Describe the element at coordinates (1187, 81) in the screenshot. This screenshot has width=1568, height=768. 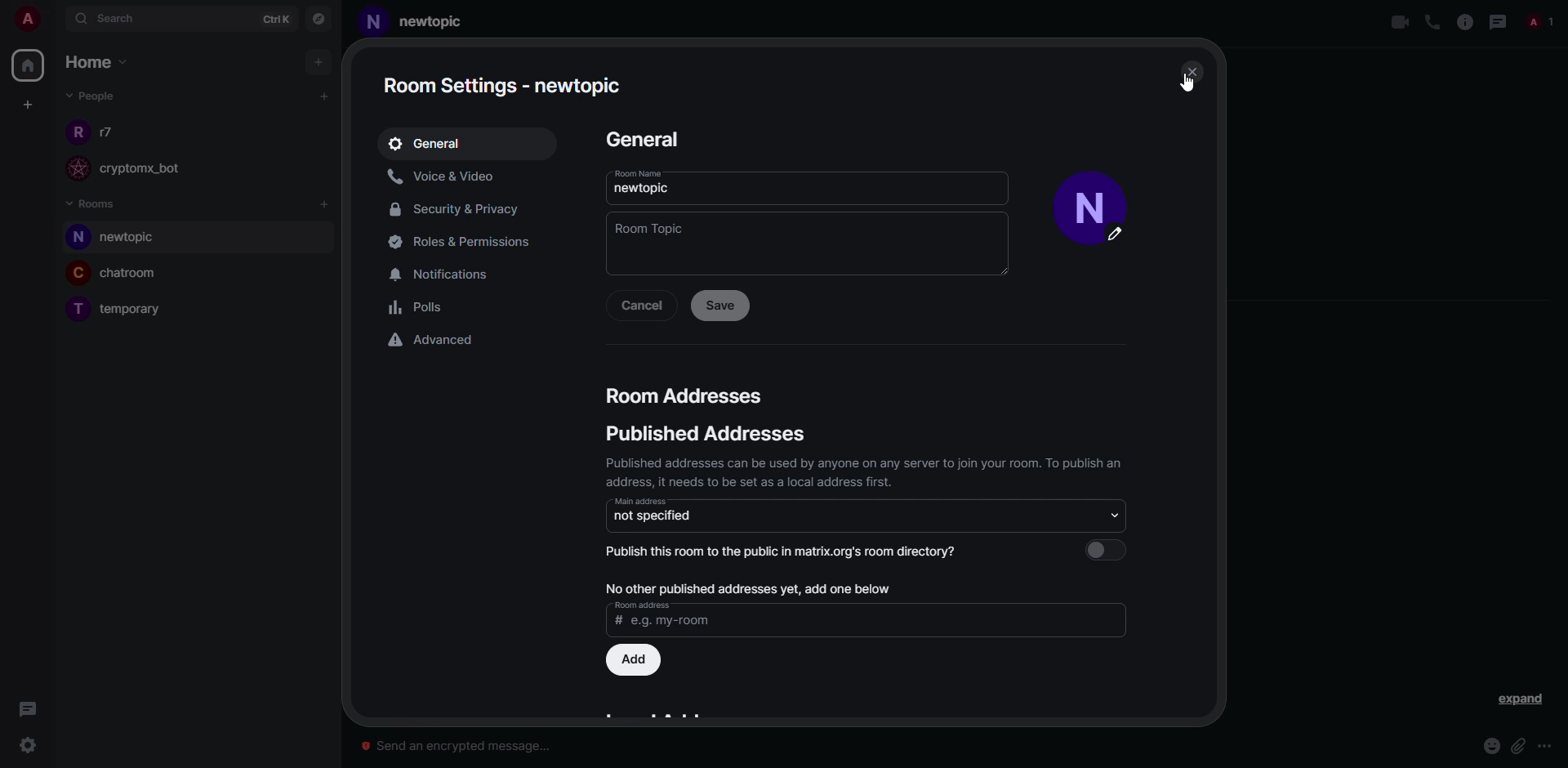
I see `cursor` at that location.